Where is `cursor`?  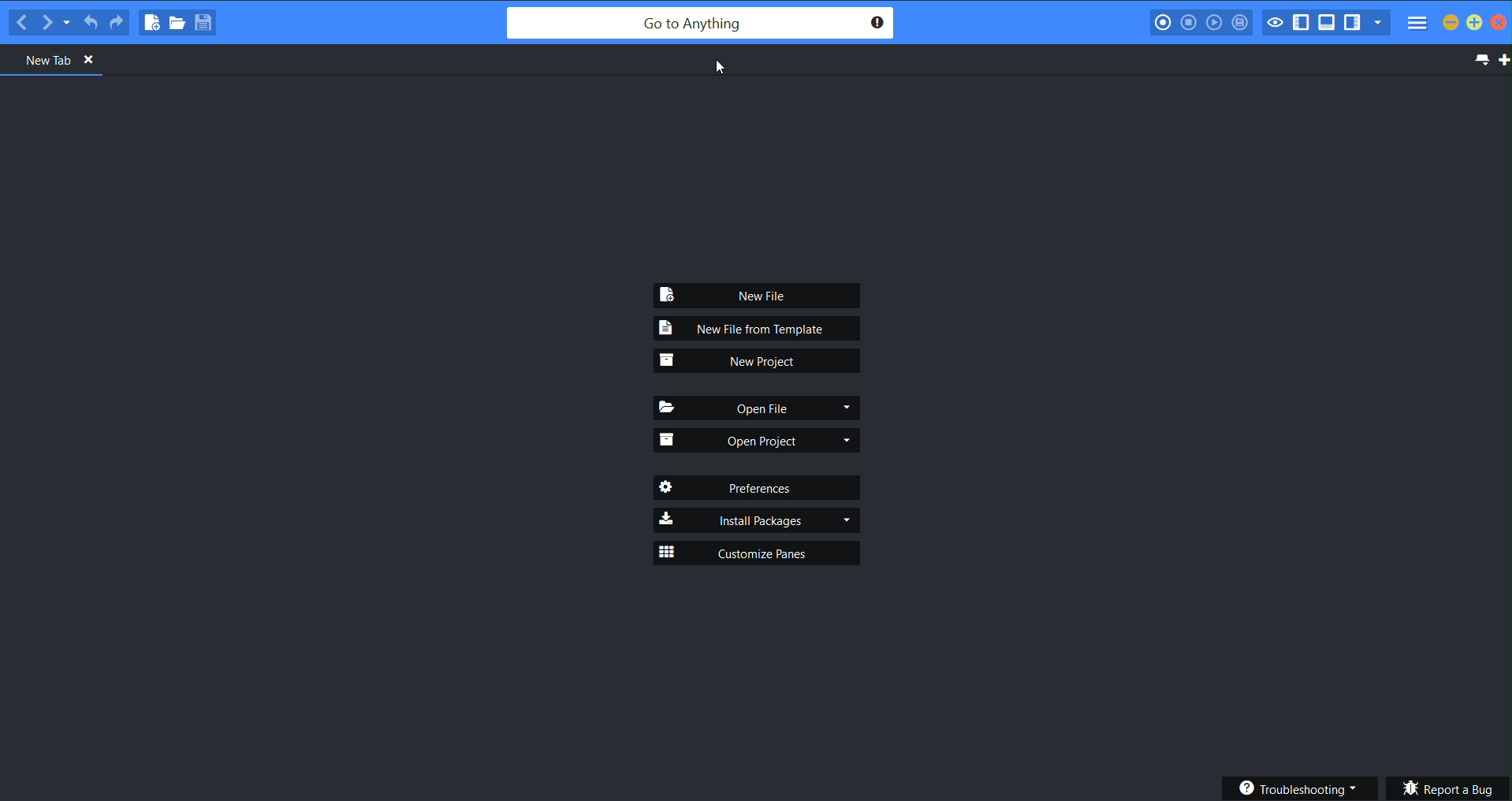
cursor is located at coordinates (721, 69).